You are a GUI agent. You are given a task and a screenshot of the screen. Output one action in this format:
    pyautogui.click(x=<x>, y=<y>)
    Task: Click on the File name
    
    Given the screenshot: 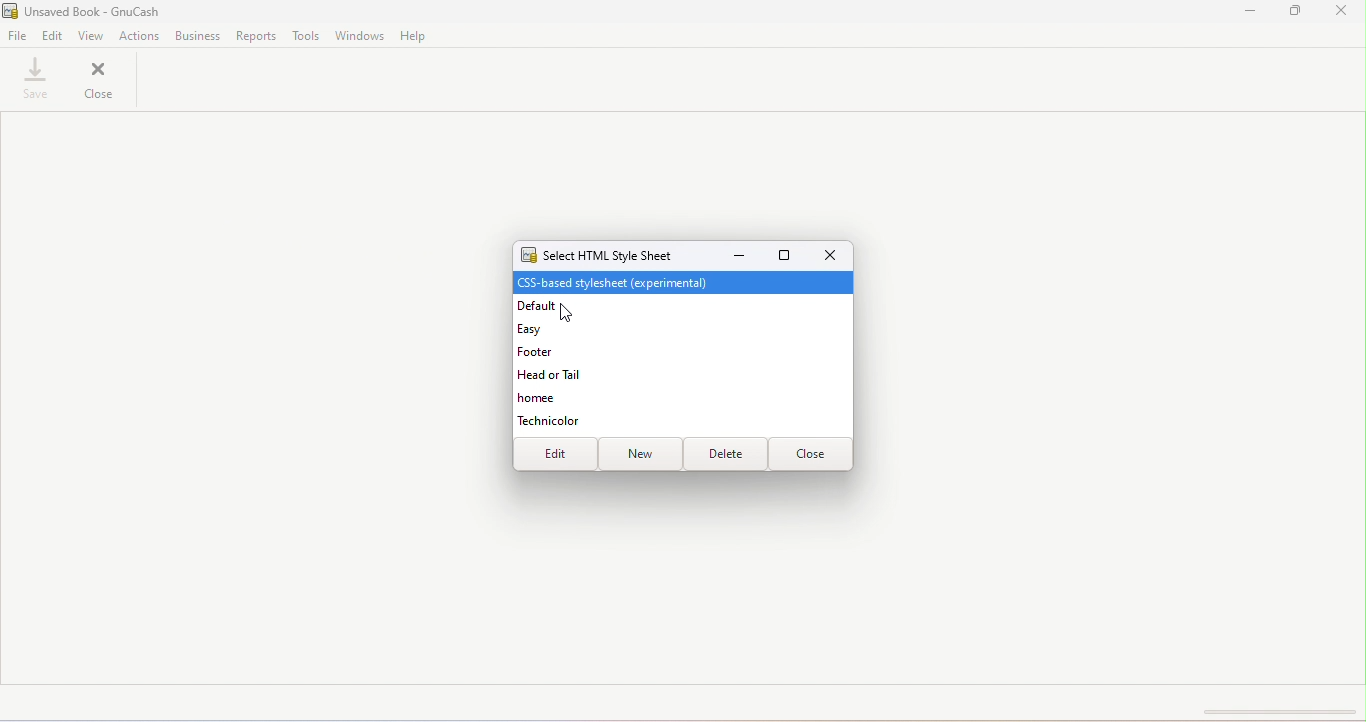 What is the action you would take?
    pyautogui.click(x=89, y=13)
    